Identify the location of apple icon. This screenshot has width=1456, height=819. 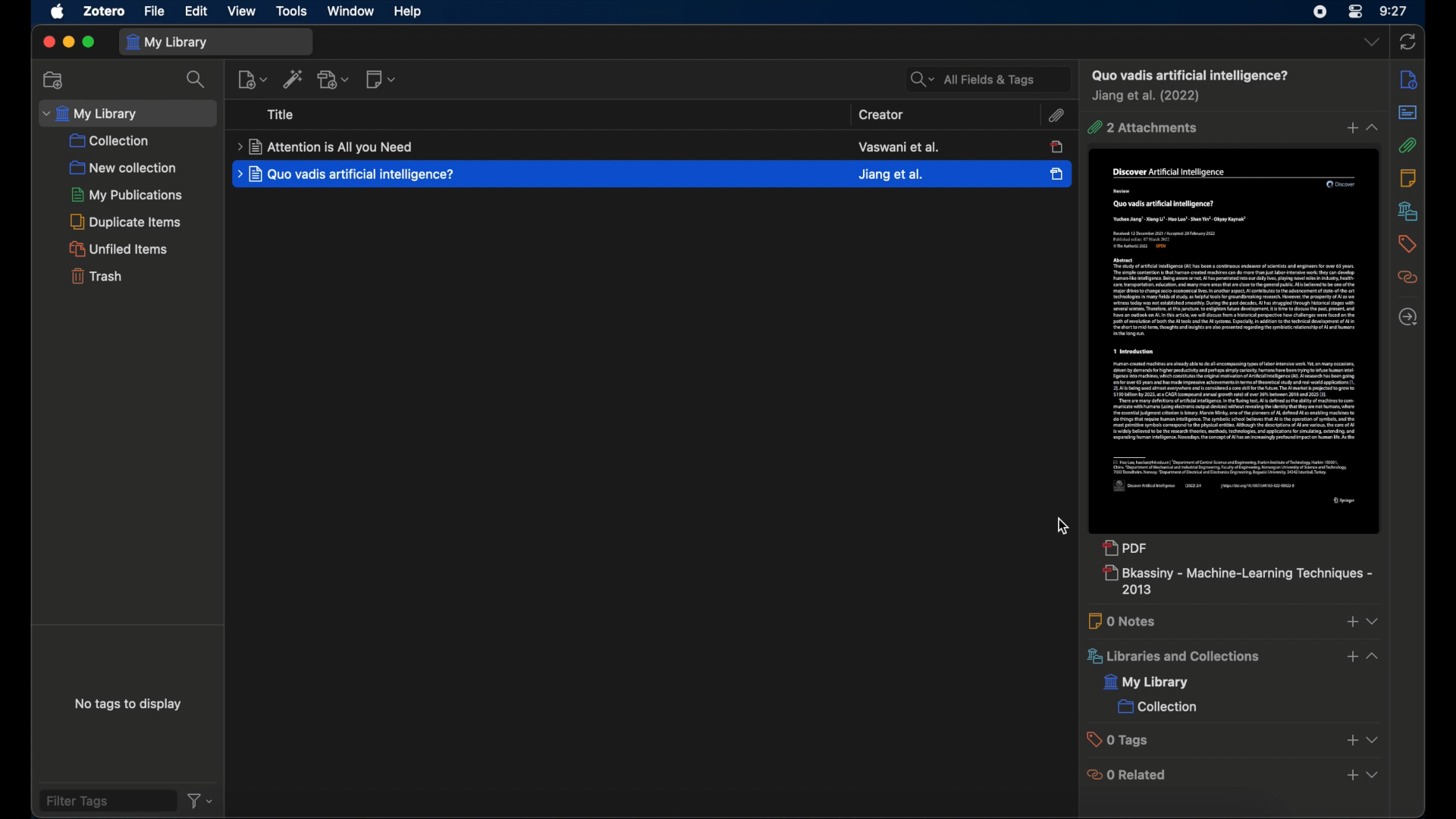
(58, 12).